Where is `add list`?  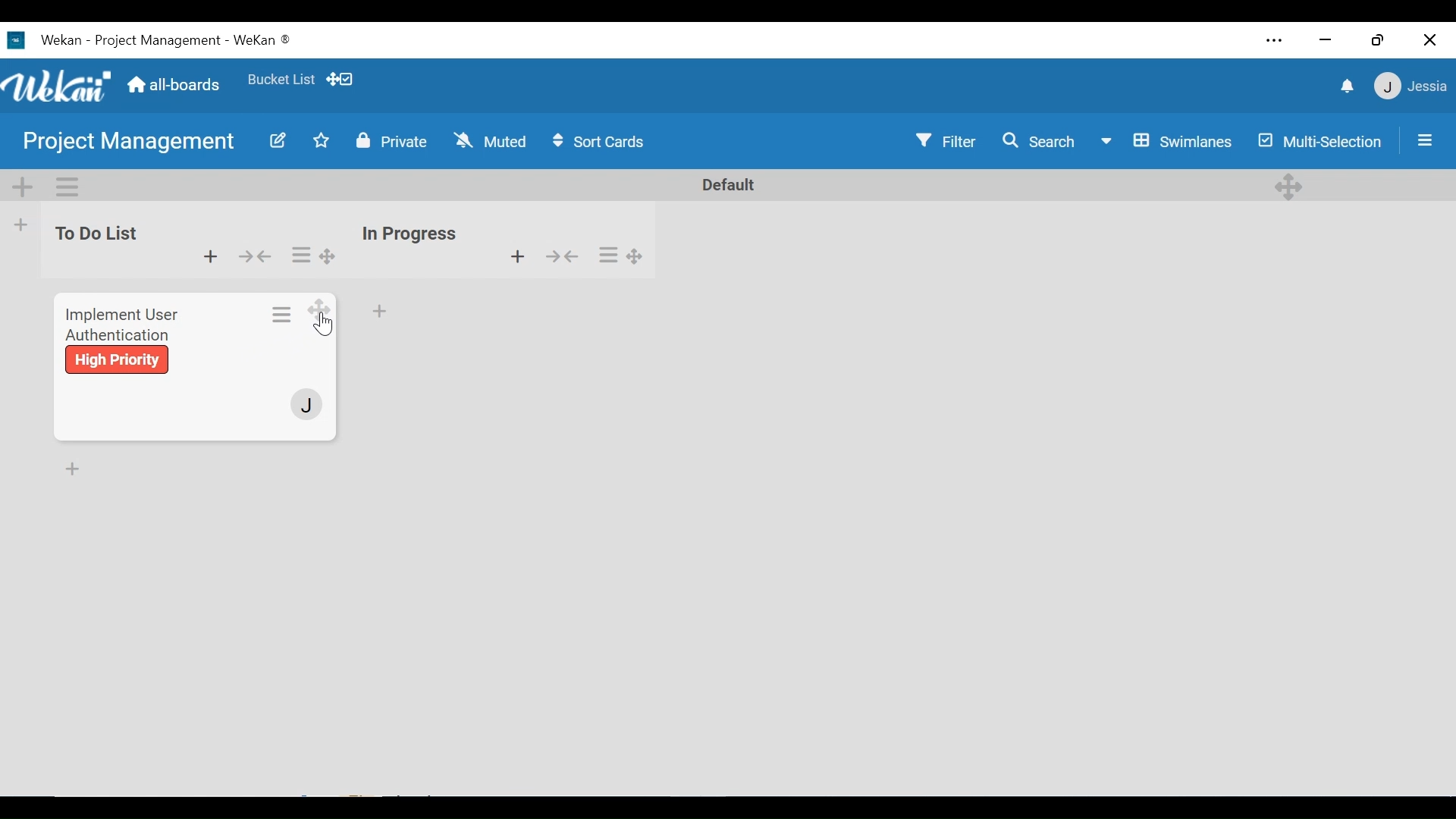 add list is located at coordinates (20, 225).